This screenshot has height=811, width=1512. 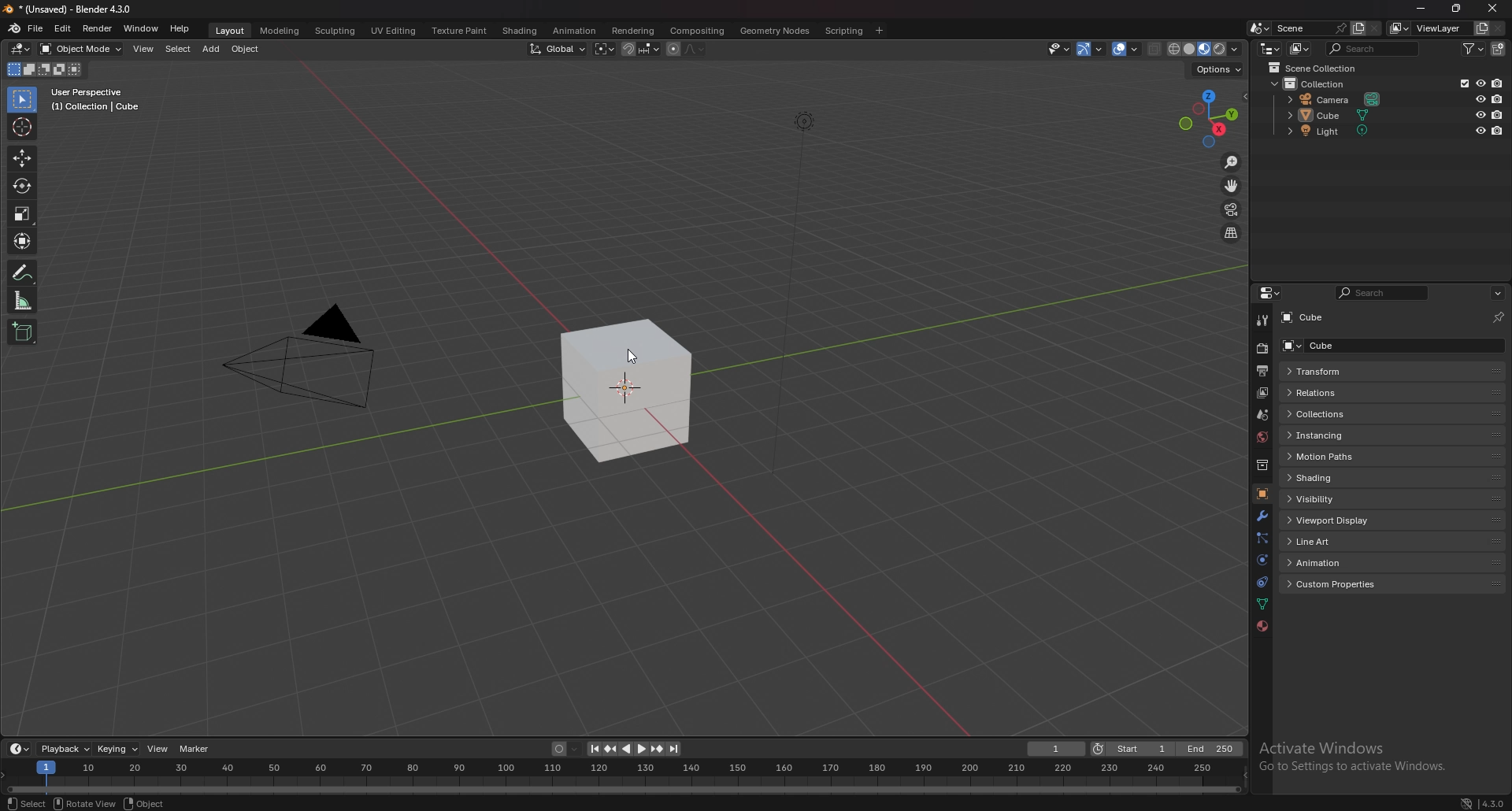 I want to click on view layer, so click(x=1260, y=394).